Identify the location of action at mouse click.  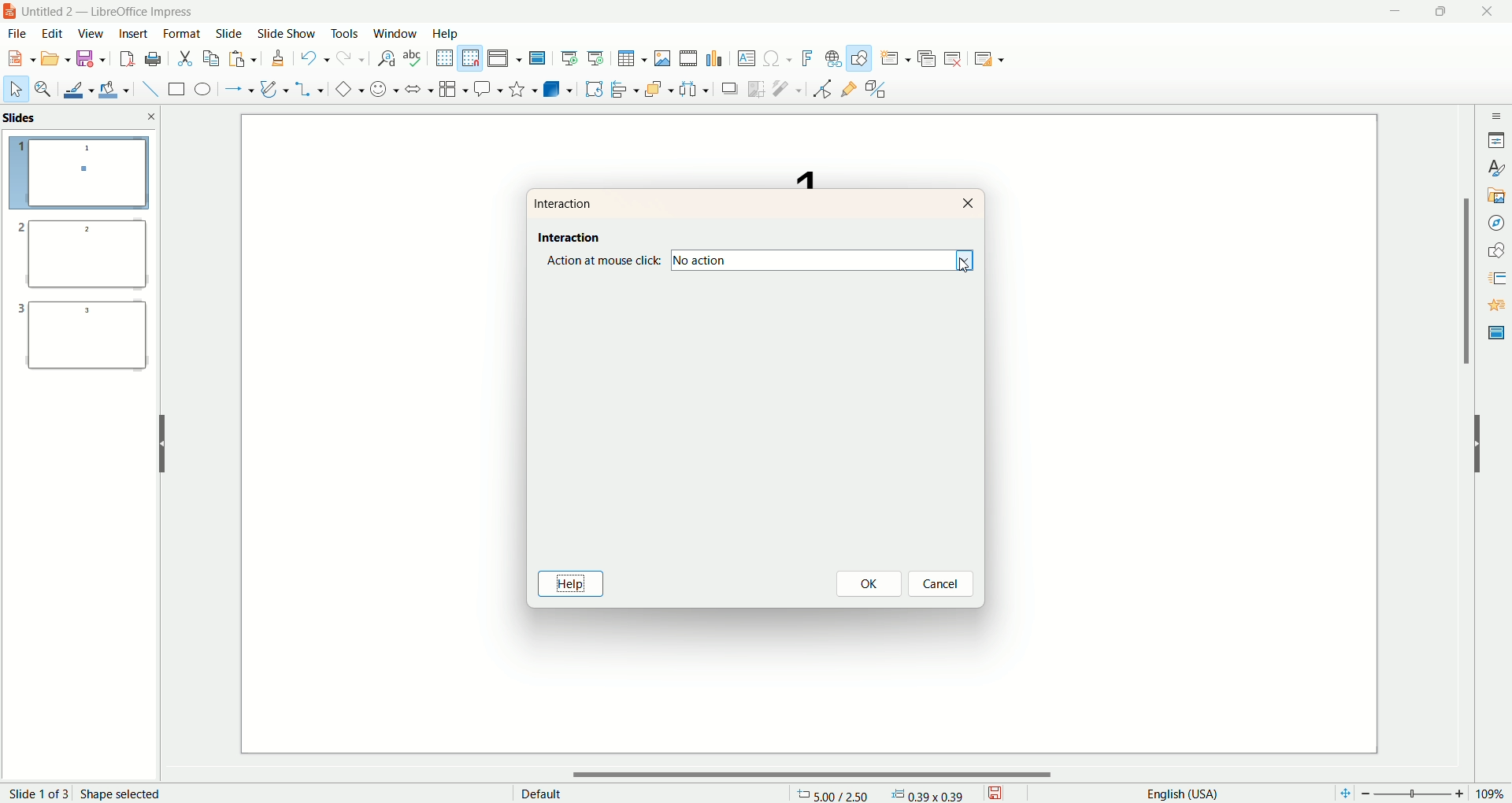
(607, 261).